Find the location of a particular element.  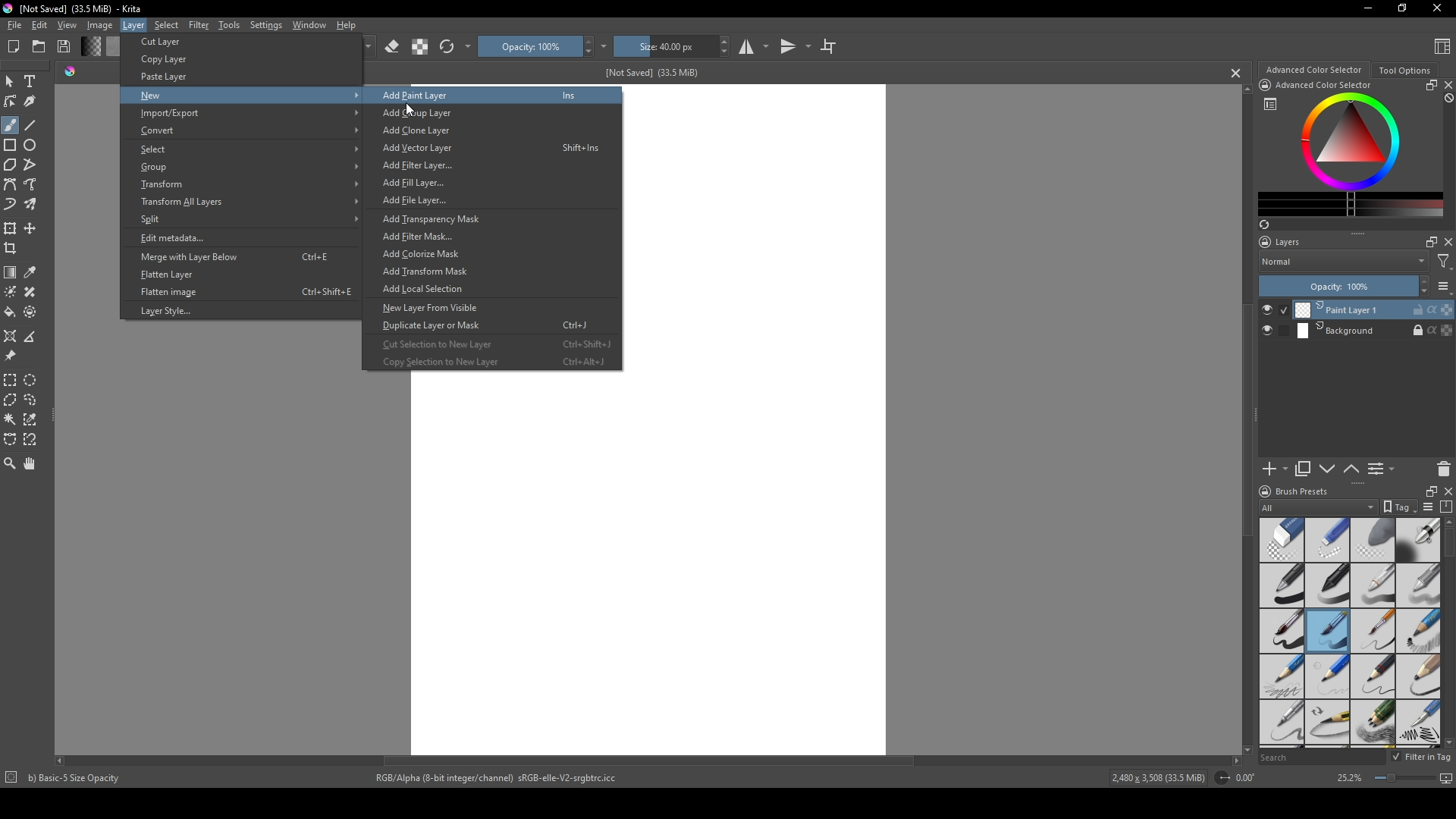

Add Local Selection is located at coordinates (429, 289).